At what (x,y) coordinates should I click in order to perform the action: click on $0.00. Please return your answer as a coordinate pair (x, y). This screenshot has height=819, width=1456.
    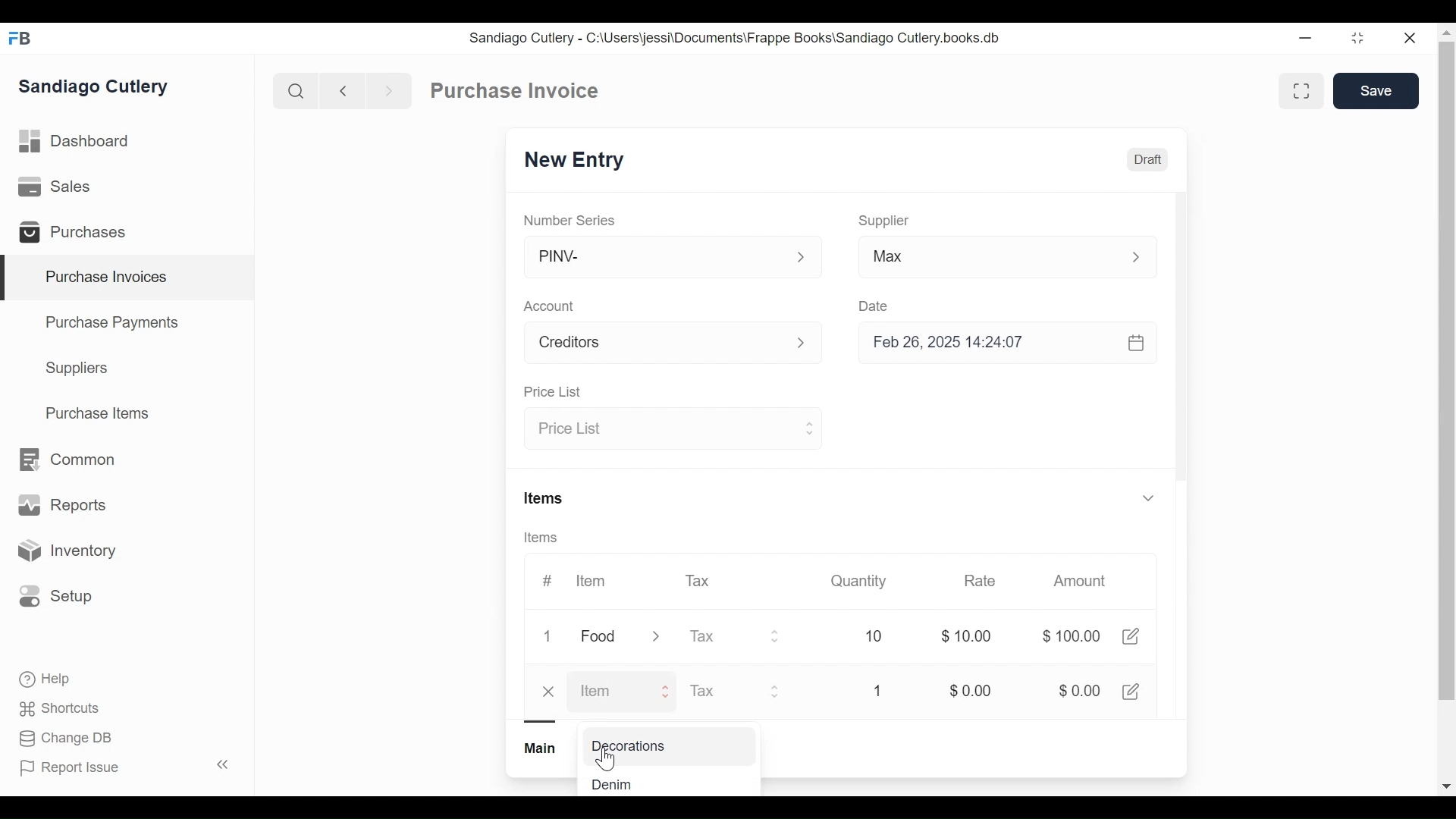
    Looking at the image, I should click on (974, 690).